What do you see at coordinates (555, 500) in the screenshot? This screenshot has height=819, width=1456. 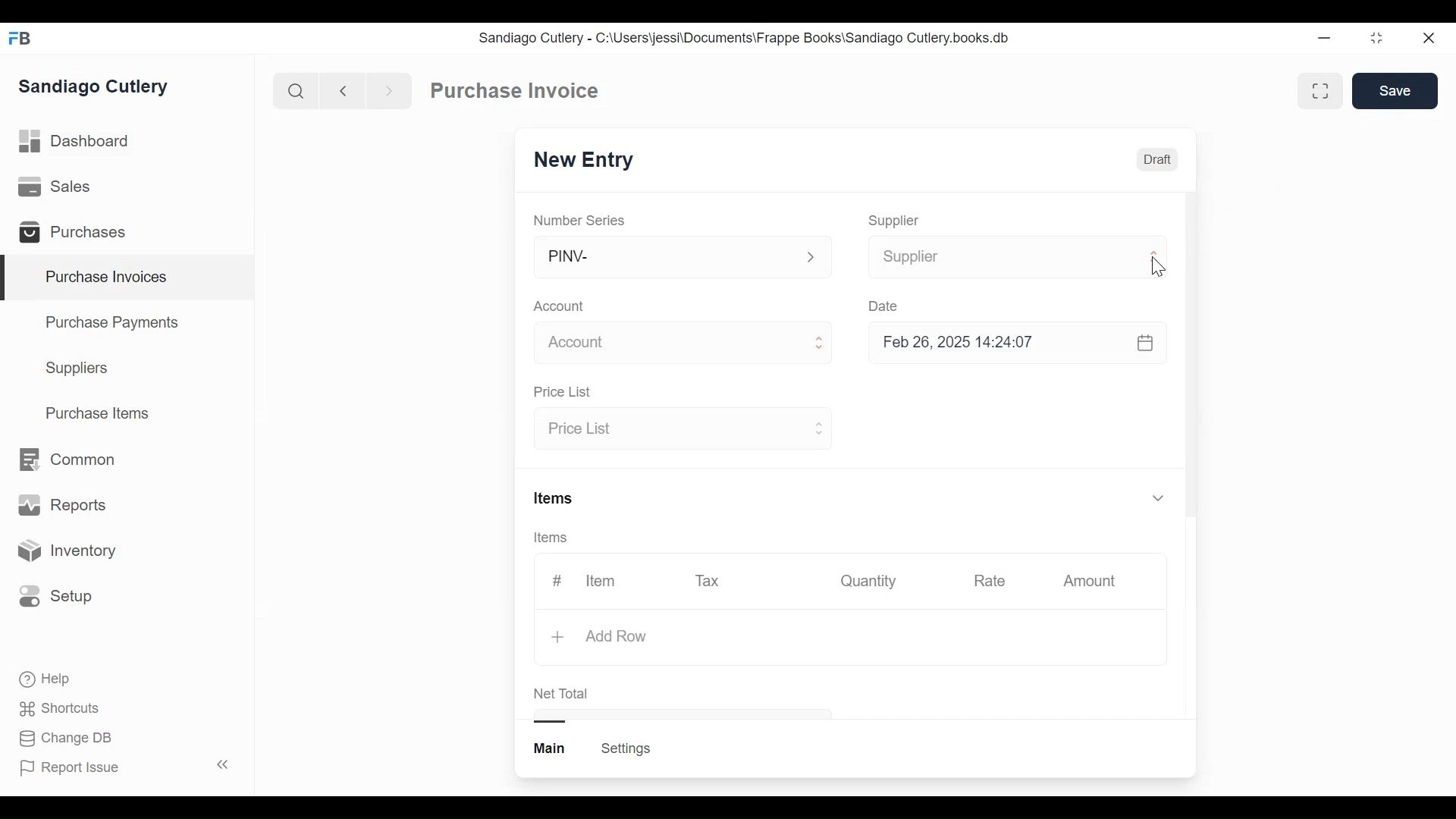 I see `Items` at bounding box center [555, 500].